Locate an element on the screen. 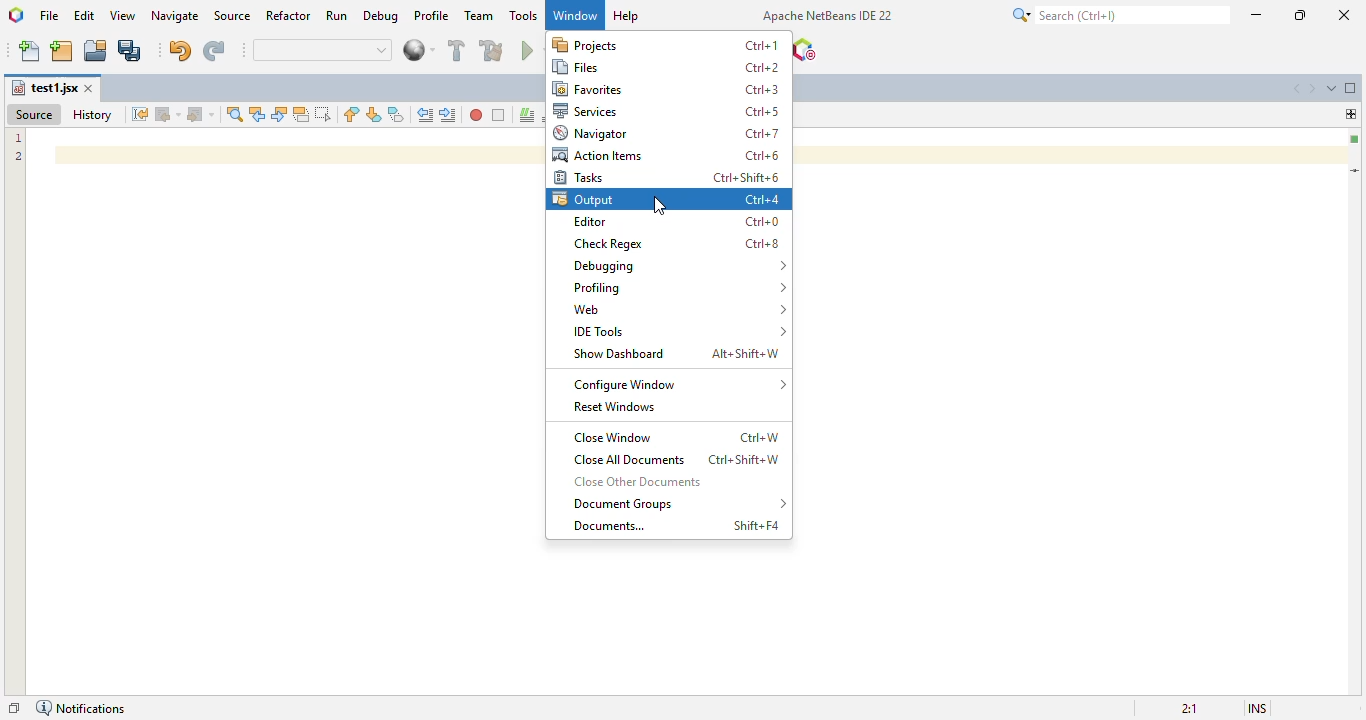 The width and height of the screenshot is (1366, 720). find next occurrence is located at coordinates (279, 115).